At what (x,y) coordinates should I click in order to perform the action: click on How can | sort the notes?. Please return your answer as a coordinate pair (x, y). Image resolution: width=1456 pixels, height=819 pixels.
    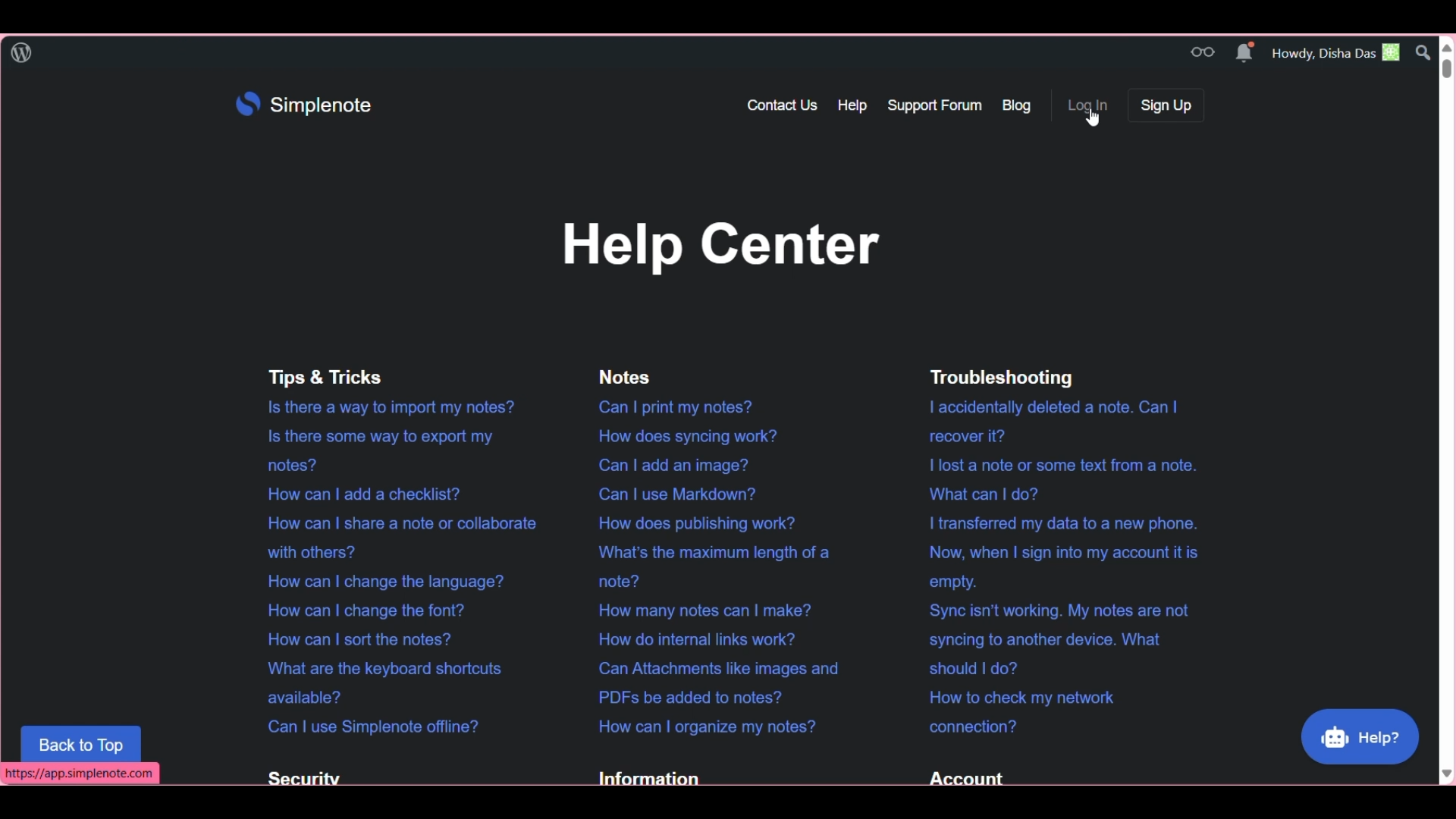
    Looking at the image, I should click on (353, 638).